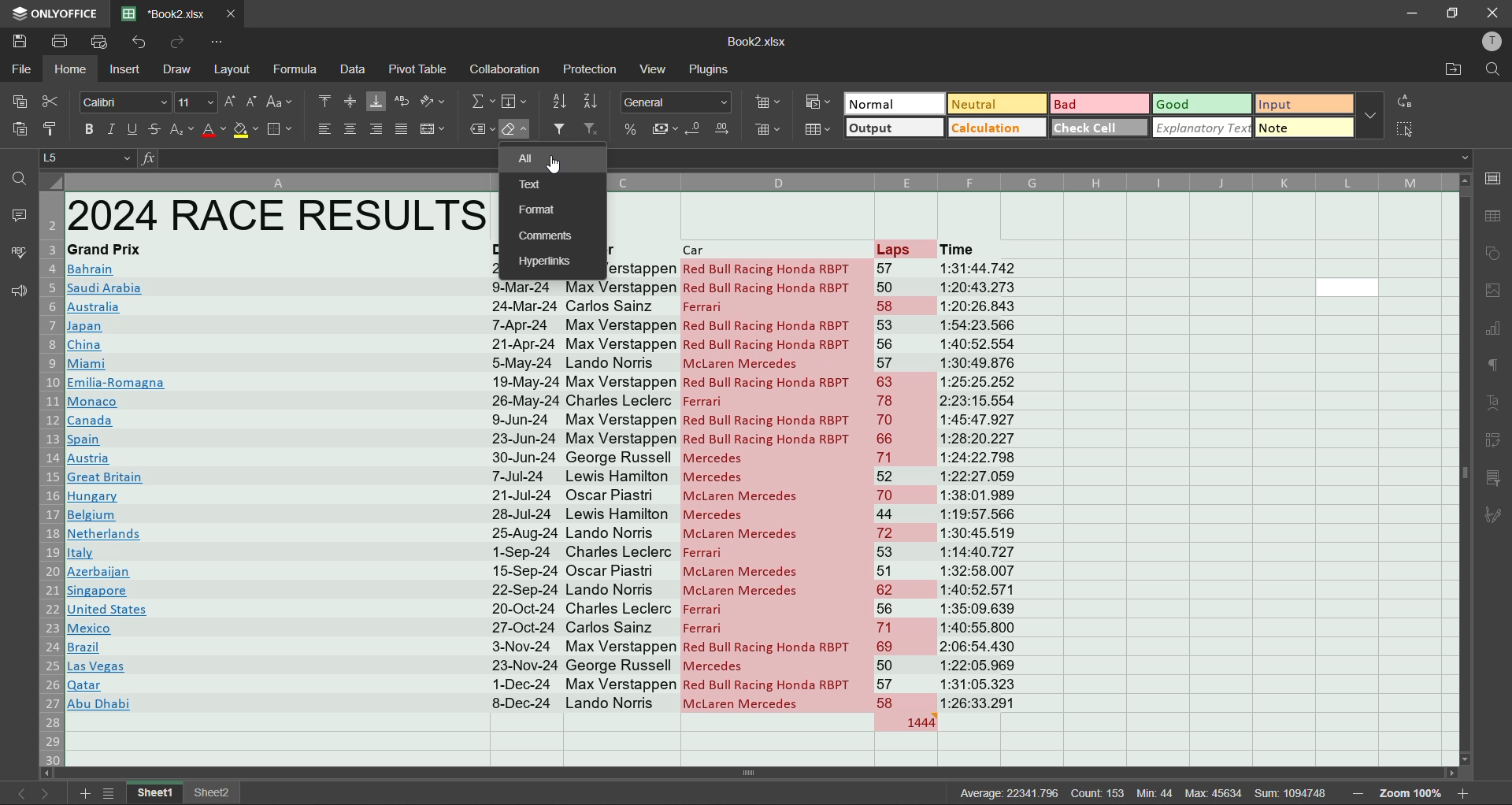 This screenshot has height=805, width=1512. What do you see at coordinates (16, 254) in the screenshot?
I see `spellcheck` at bounding box center [16, 254].